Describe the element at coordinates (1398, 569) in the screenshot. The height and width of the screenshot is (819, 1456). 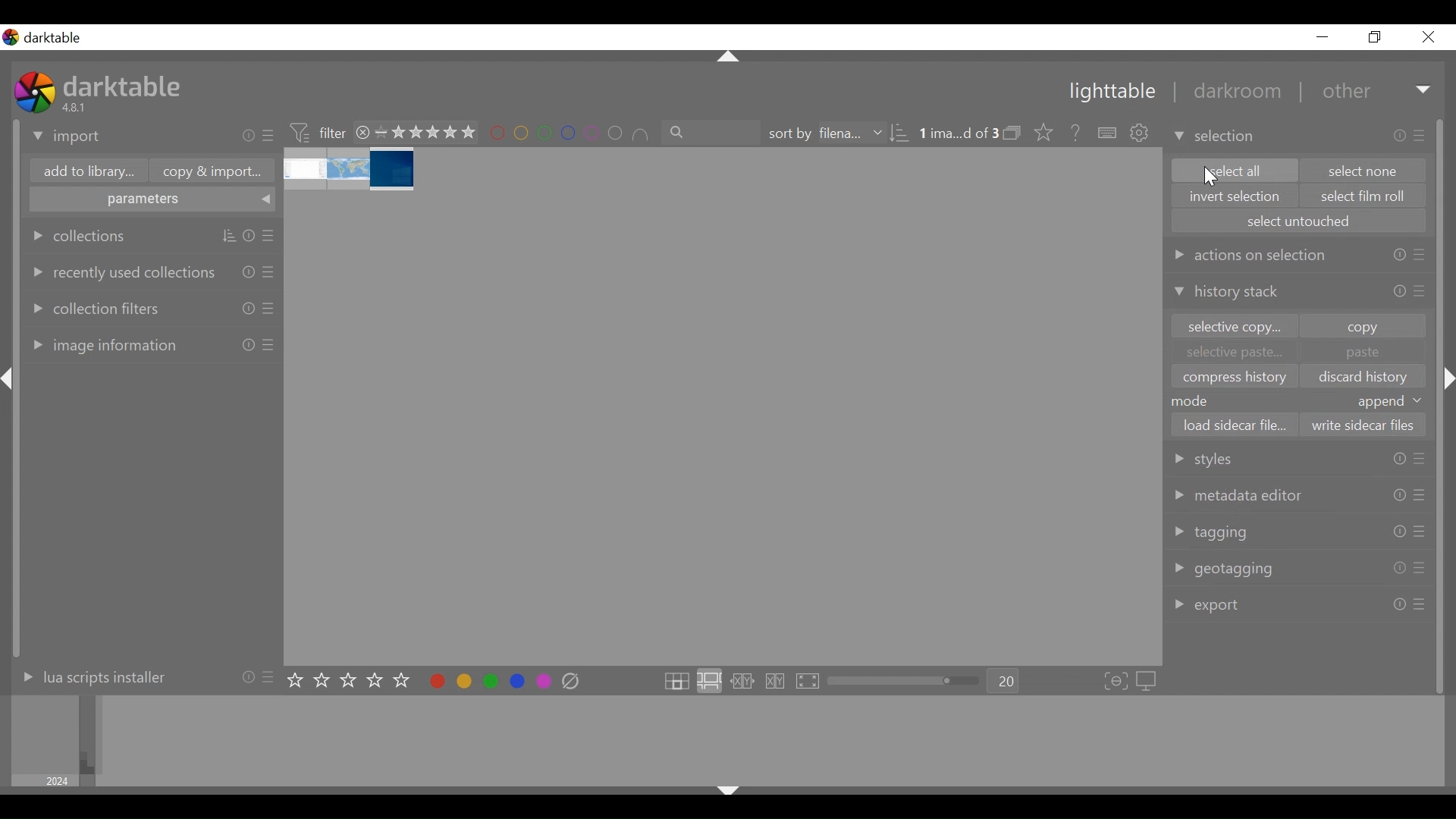
I see `info` at that location.